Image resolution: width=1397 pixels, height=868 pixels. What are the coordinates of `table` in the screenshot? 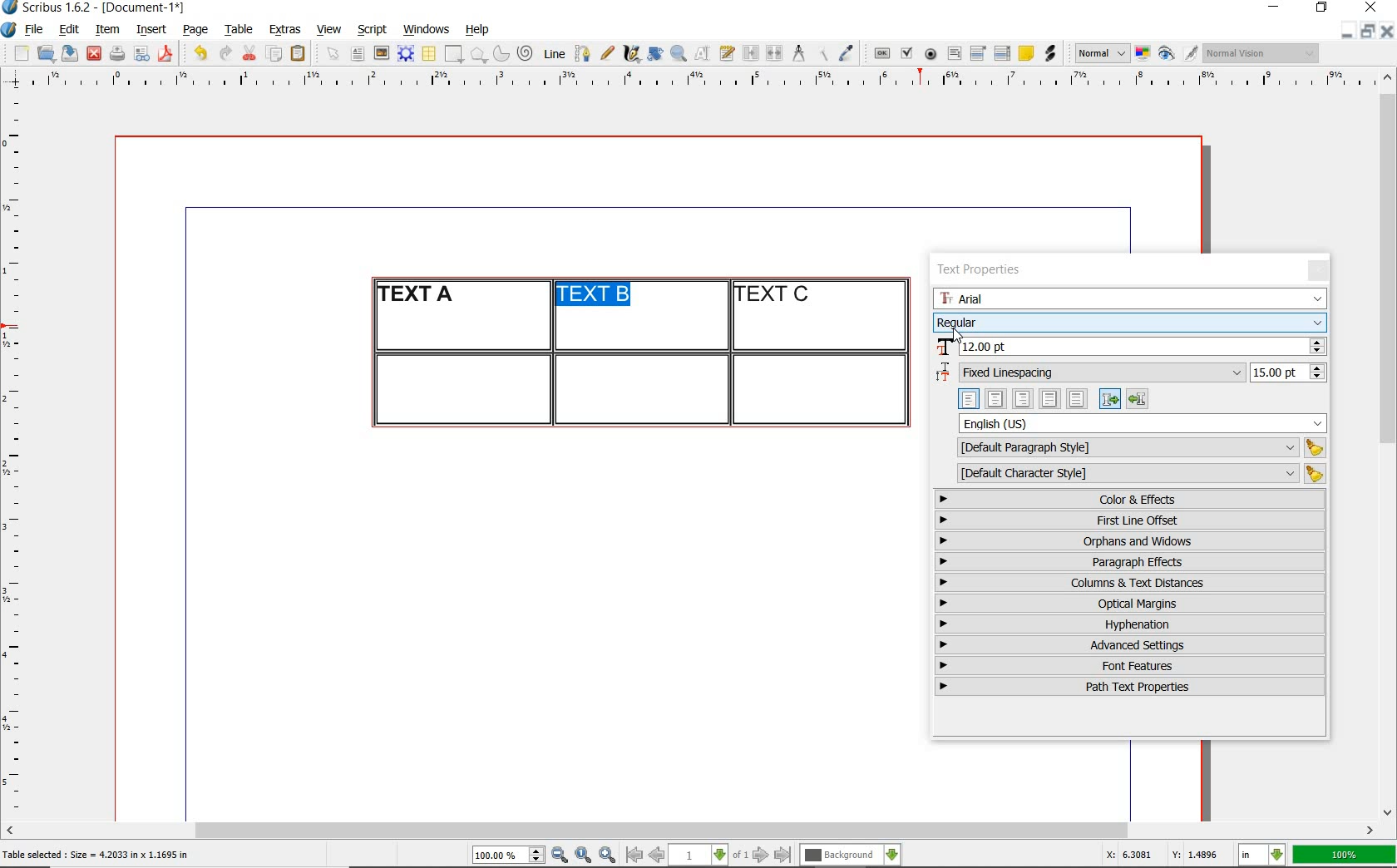 It's located at (239, 30).